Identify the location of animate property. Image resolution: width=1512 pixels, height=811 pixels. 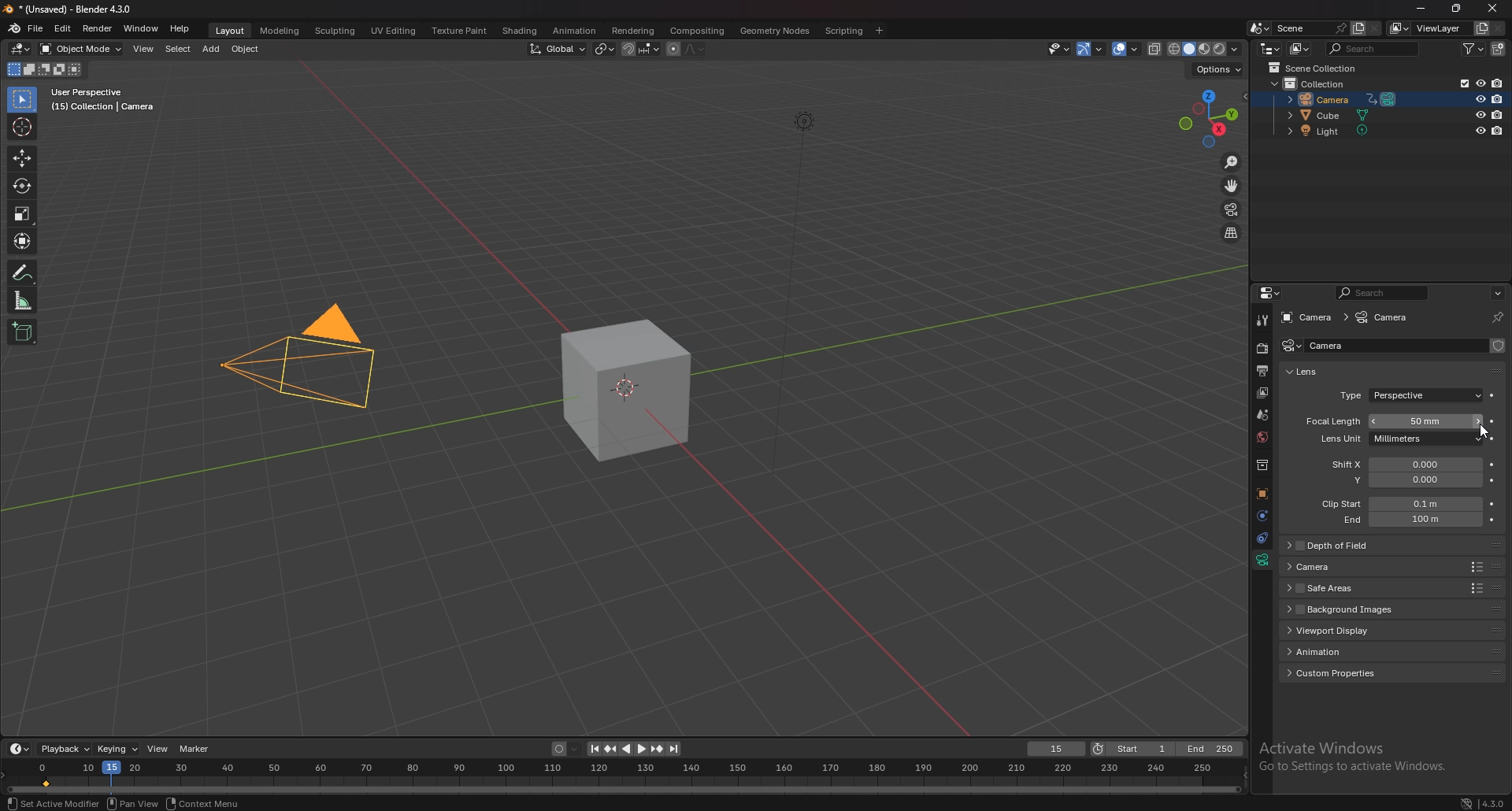
(1492, 503).